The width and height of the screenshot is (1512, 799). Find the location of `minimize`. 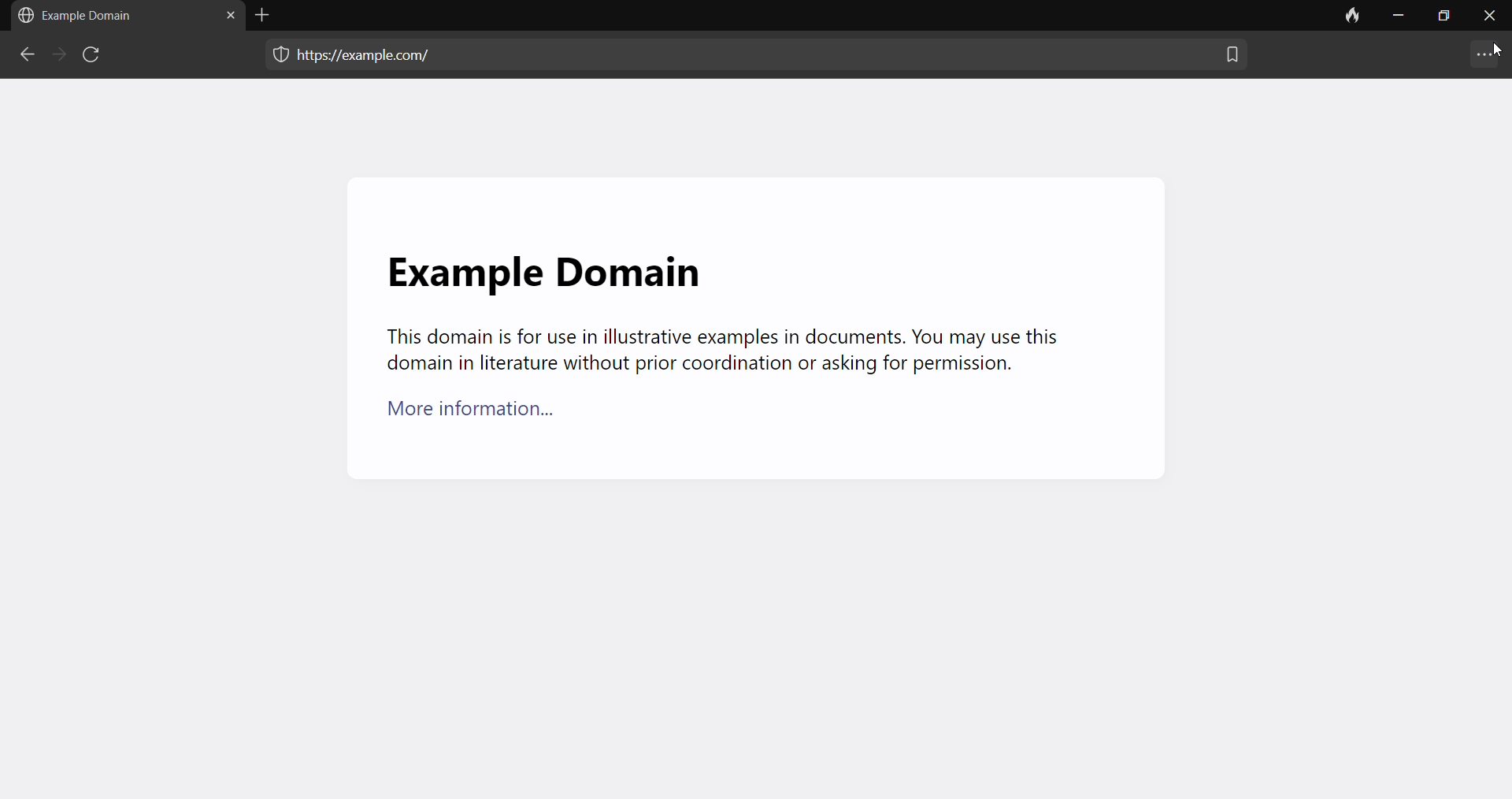

minimize is located at coordinates (1397, 18).